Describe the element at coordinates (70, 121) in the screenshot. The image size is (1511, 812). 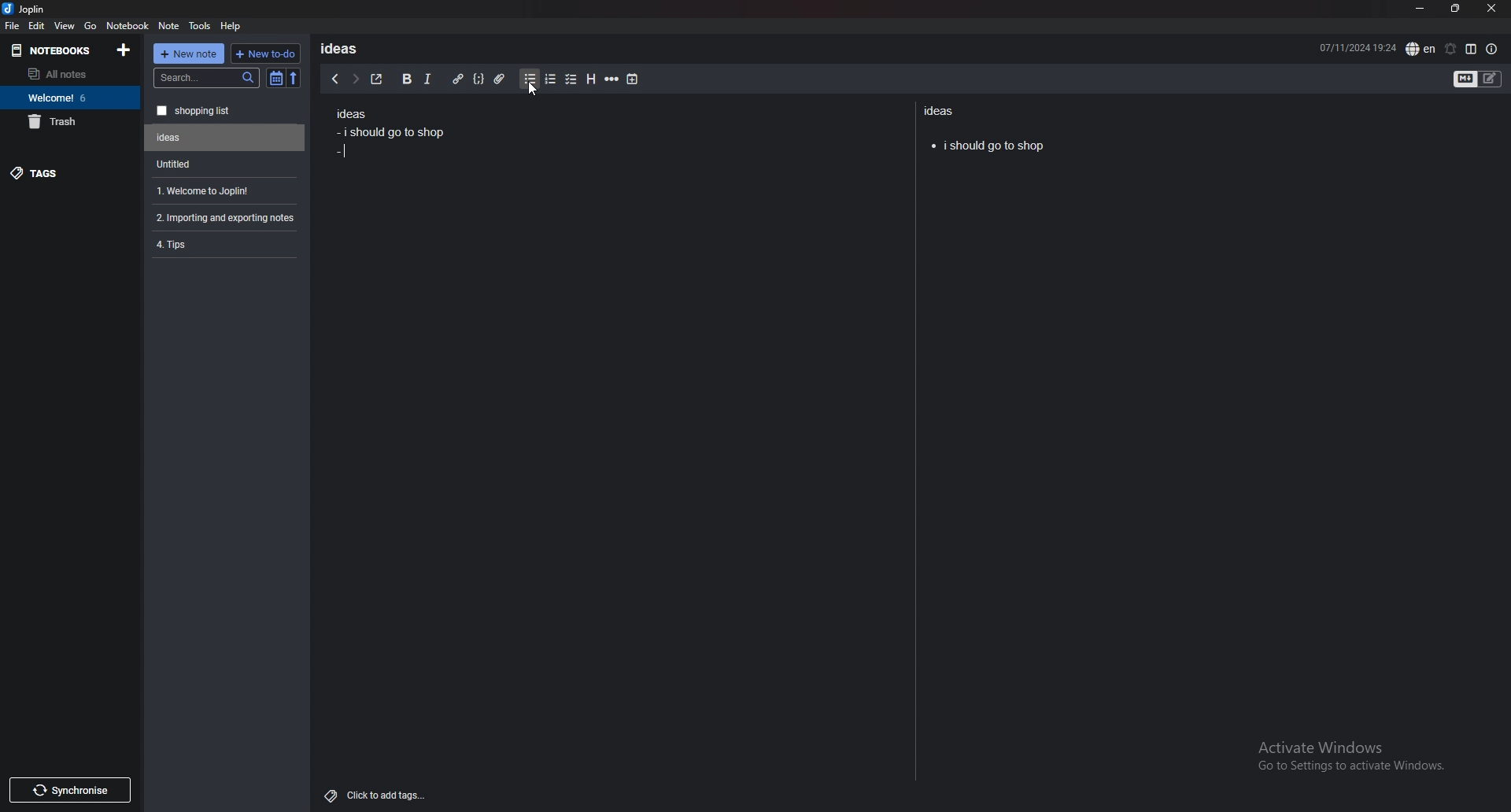
I see `trash` at that location.